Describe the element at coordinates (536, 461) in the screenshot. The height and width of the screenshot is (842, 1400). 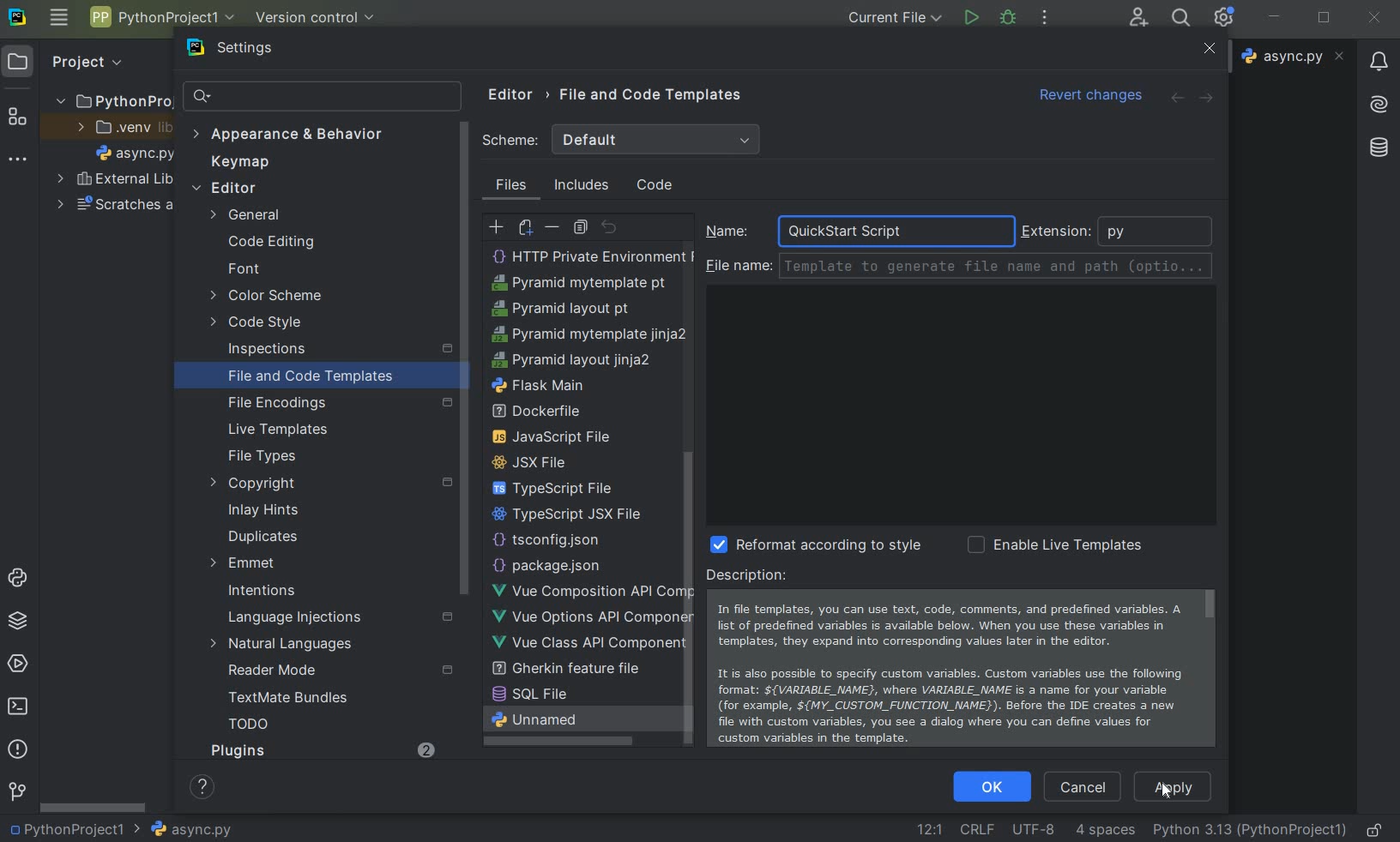
I see `sass file` at that location.